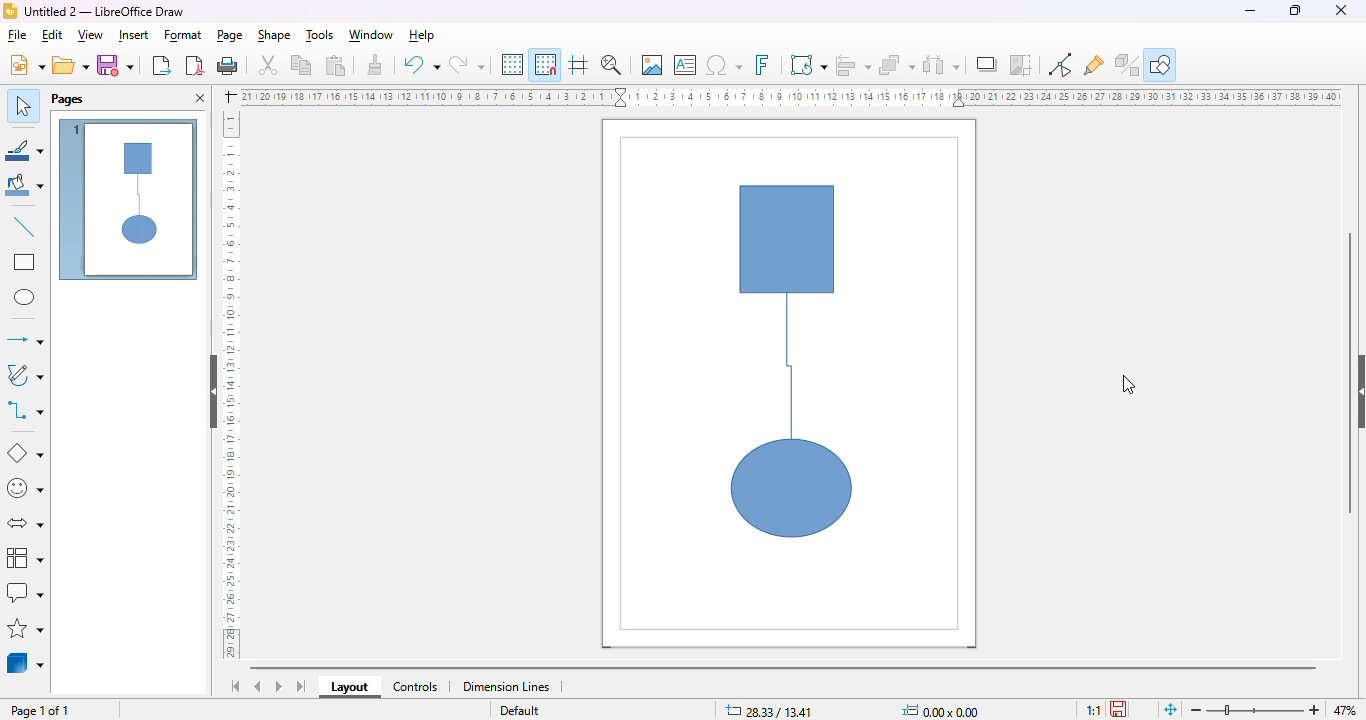 This screenshot has height=720, width=1366. What do you see at coordinates (236, 687) in the screenshot?
I see `scroll to first sheet` at bounding box center [236, 687].